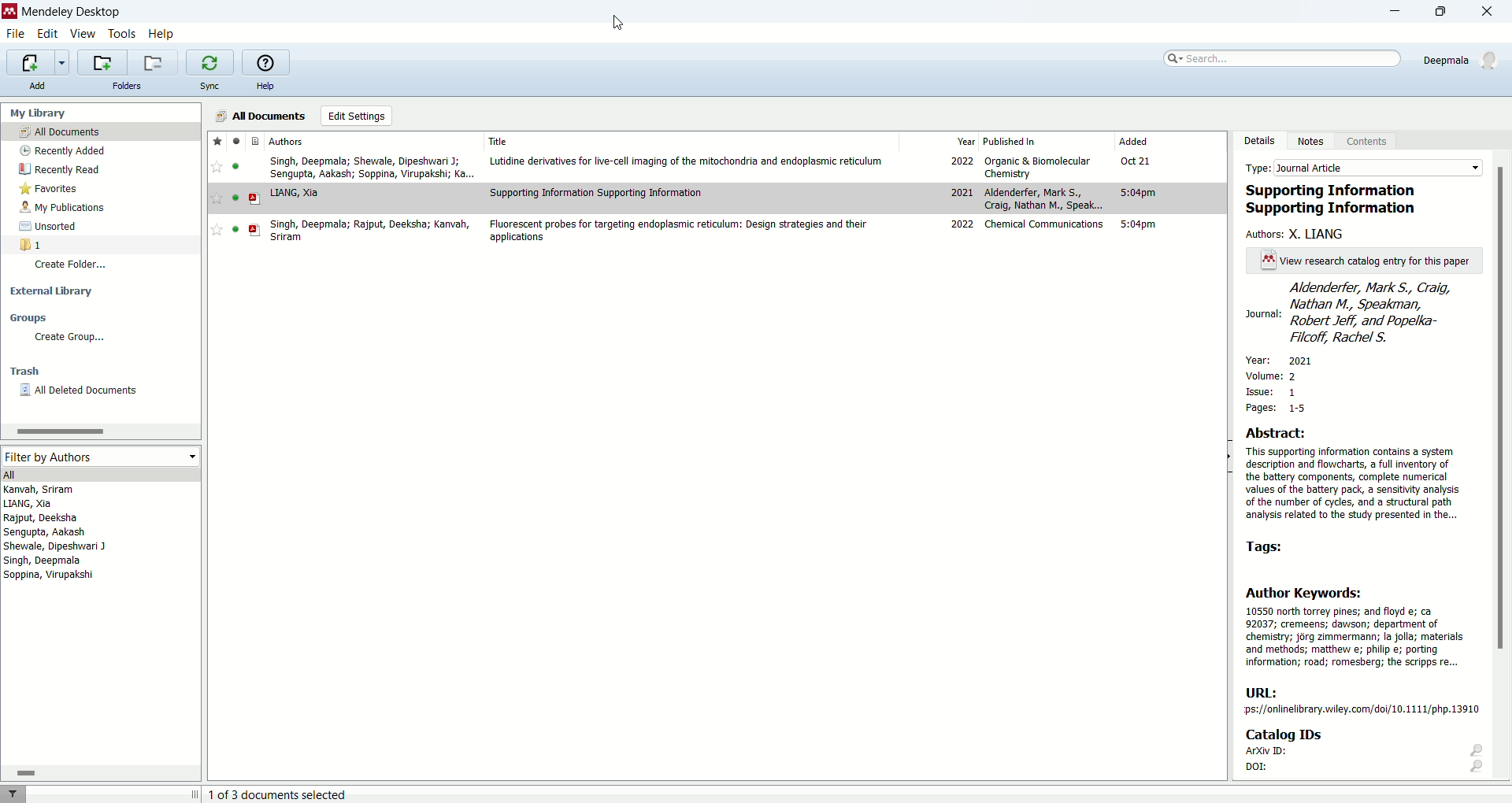 This screenshot has height=803, width=1512. What do you see at coordinates (87, 391) in the screenshot?
I see `all deleted documents` at bounding box center [87, 391].